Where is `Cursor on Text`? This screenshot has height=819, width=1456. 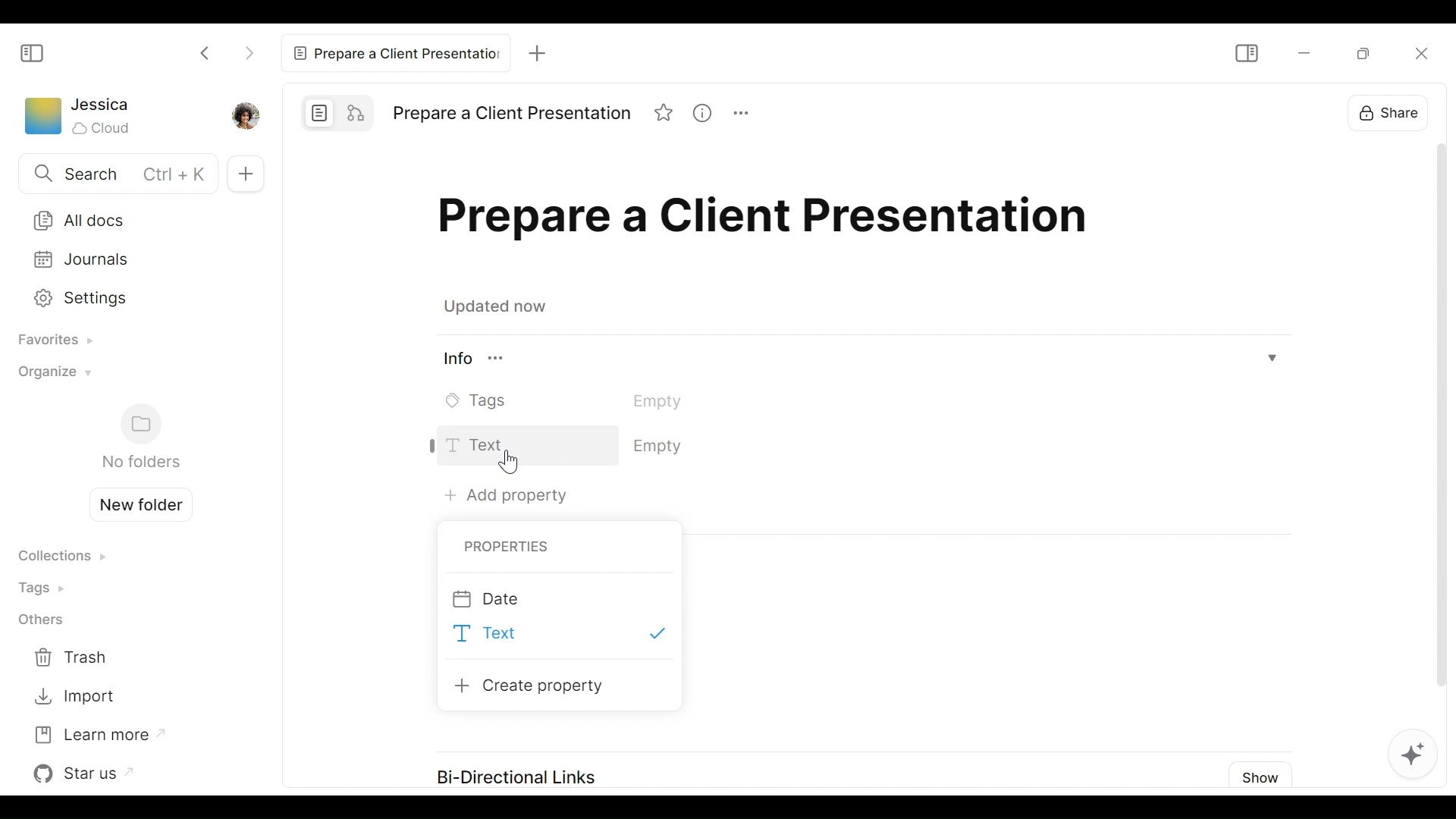 Cursor on Text is located at coordinates (509, 459).